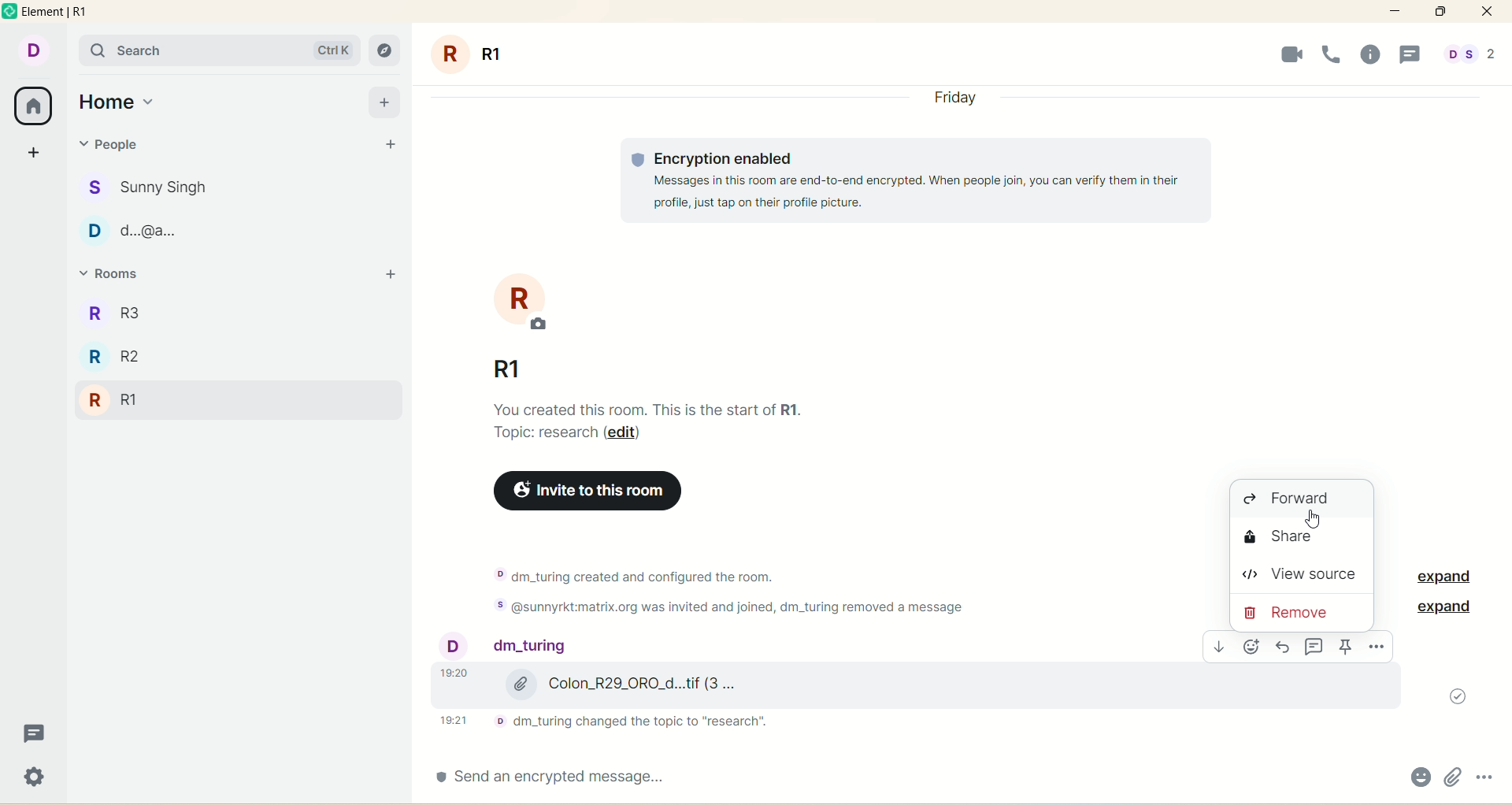 This screenshot has height=805, width=1512. What do you see at coordinates (1503, 421) in the screenshot?
I see `vertical scroll bar` at bounding box center [1503, 421].